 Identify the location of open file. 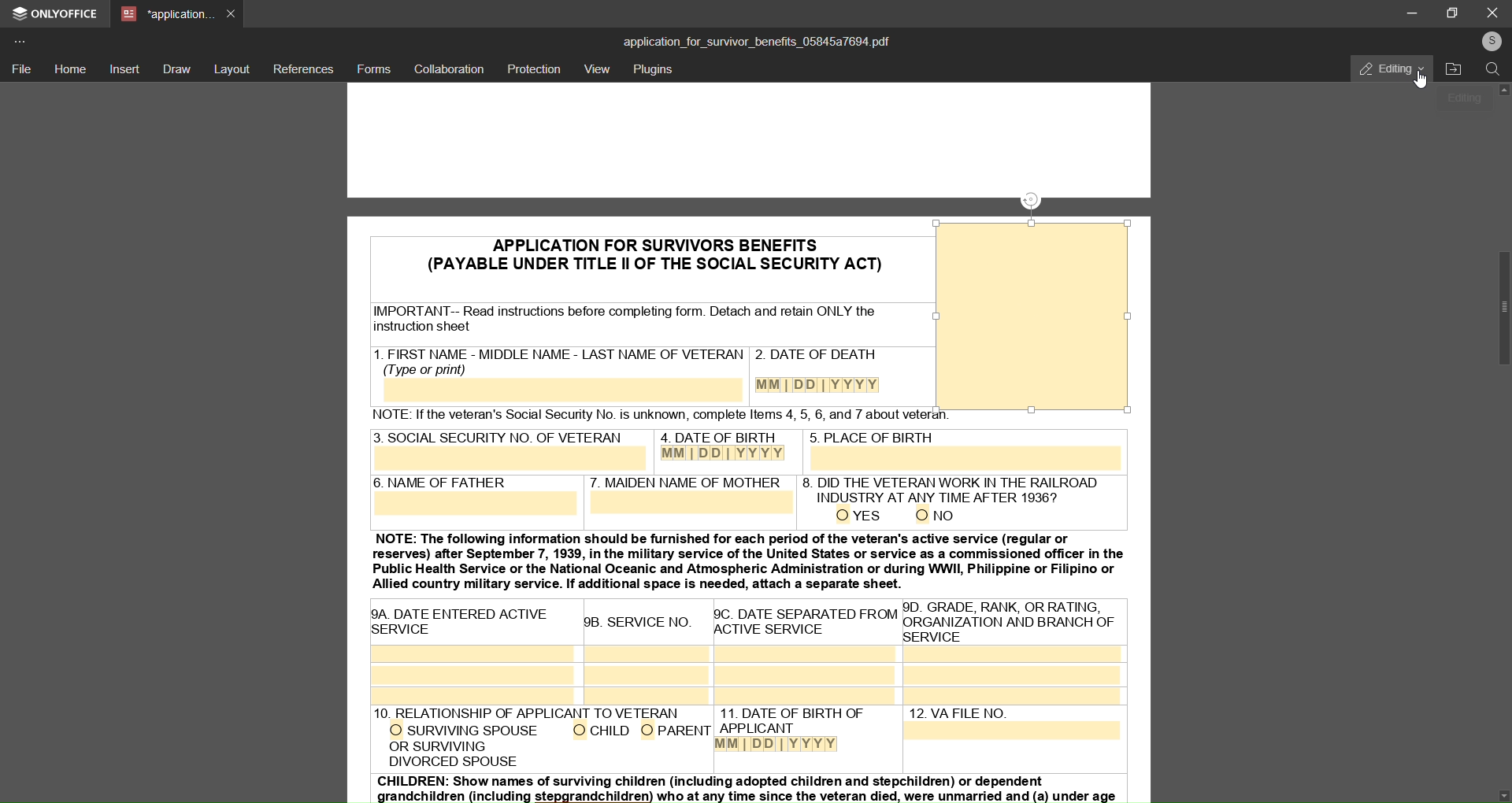
(1455, 70).